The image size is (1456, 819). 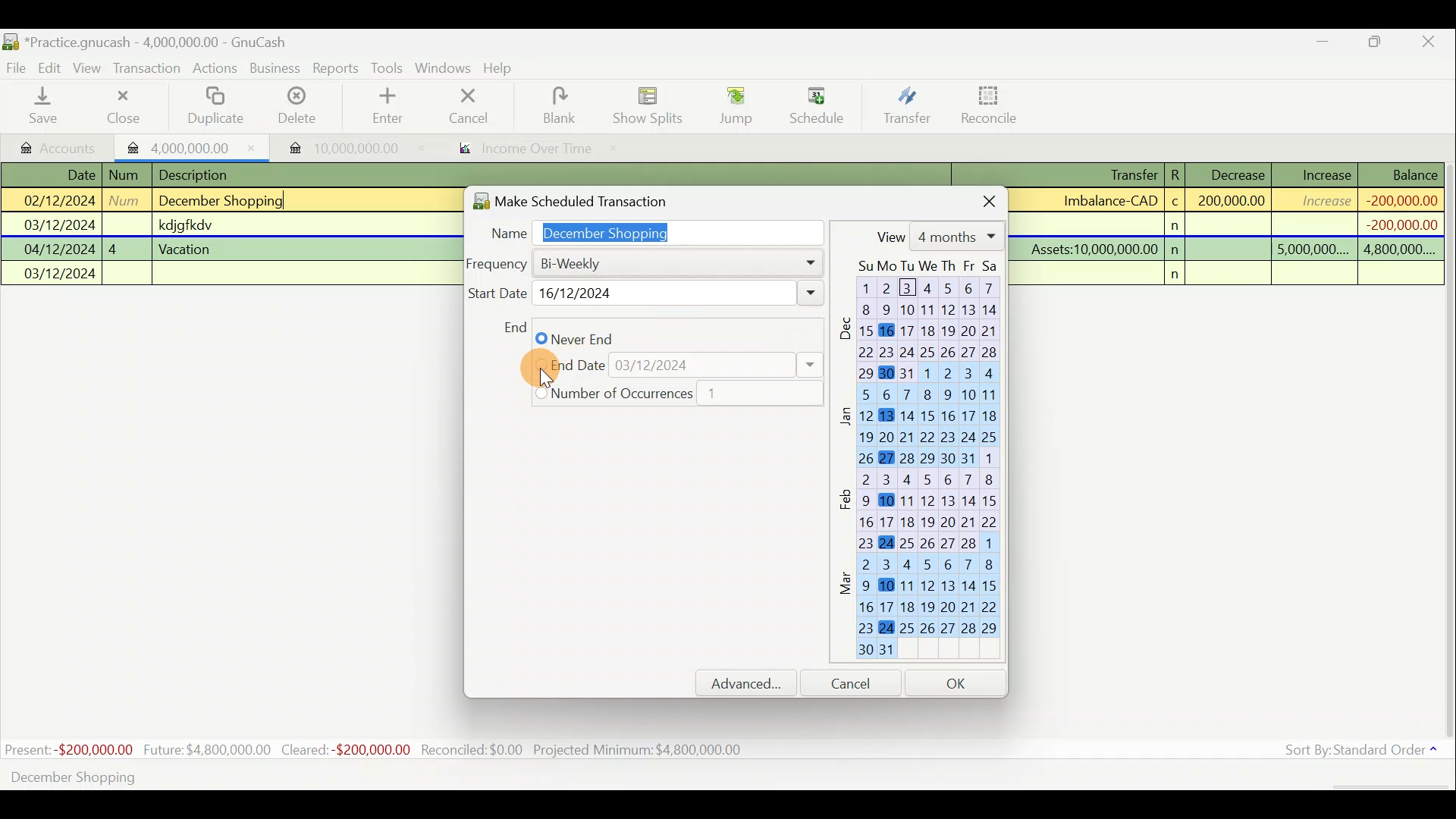 What do you see at coordinates (631, 399) in the screenshot?
I see `Yearly` at bounding box center [631, 399].